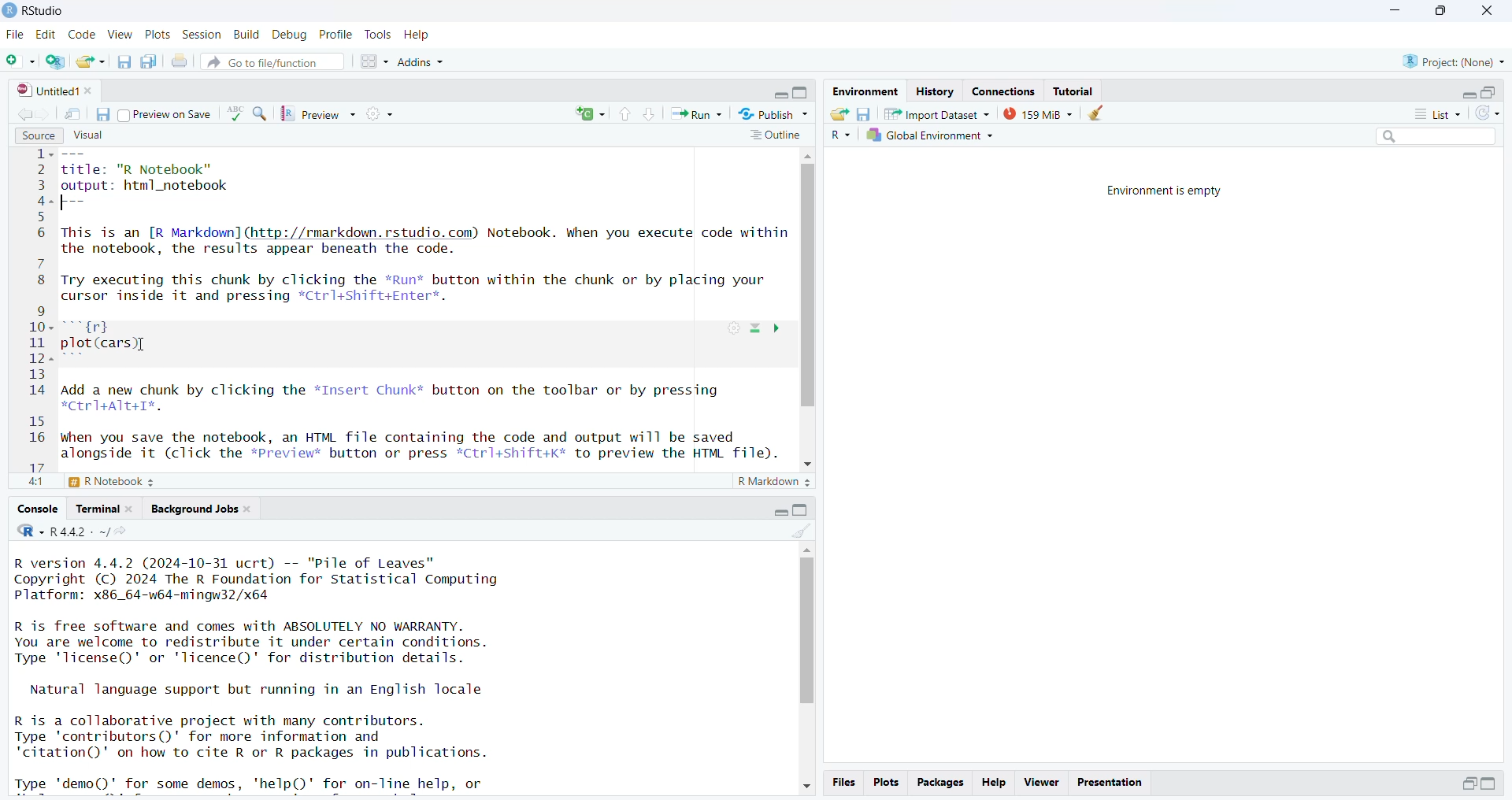 This screenshot has height=800, width=1512. Describe the element at coordinates (1469, 783) in the screenshot. I see `expand` at that location.